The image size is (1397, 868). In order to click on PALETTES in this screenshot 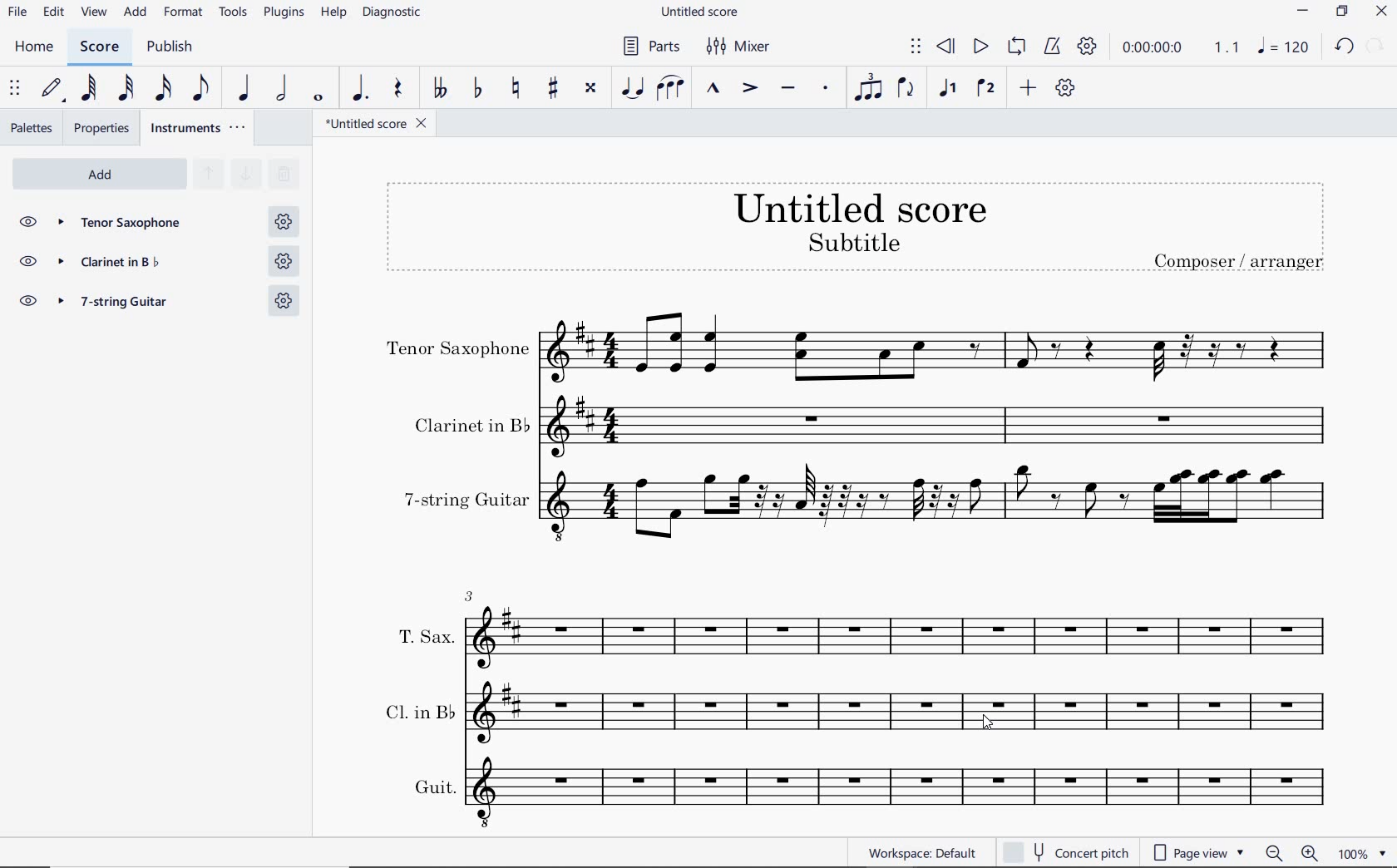, I will do `click(31, 126)`.